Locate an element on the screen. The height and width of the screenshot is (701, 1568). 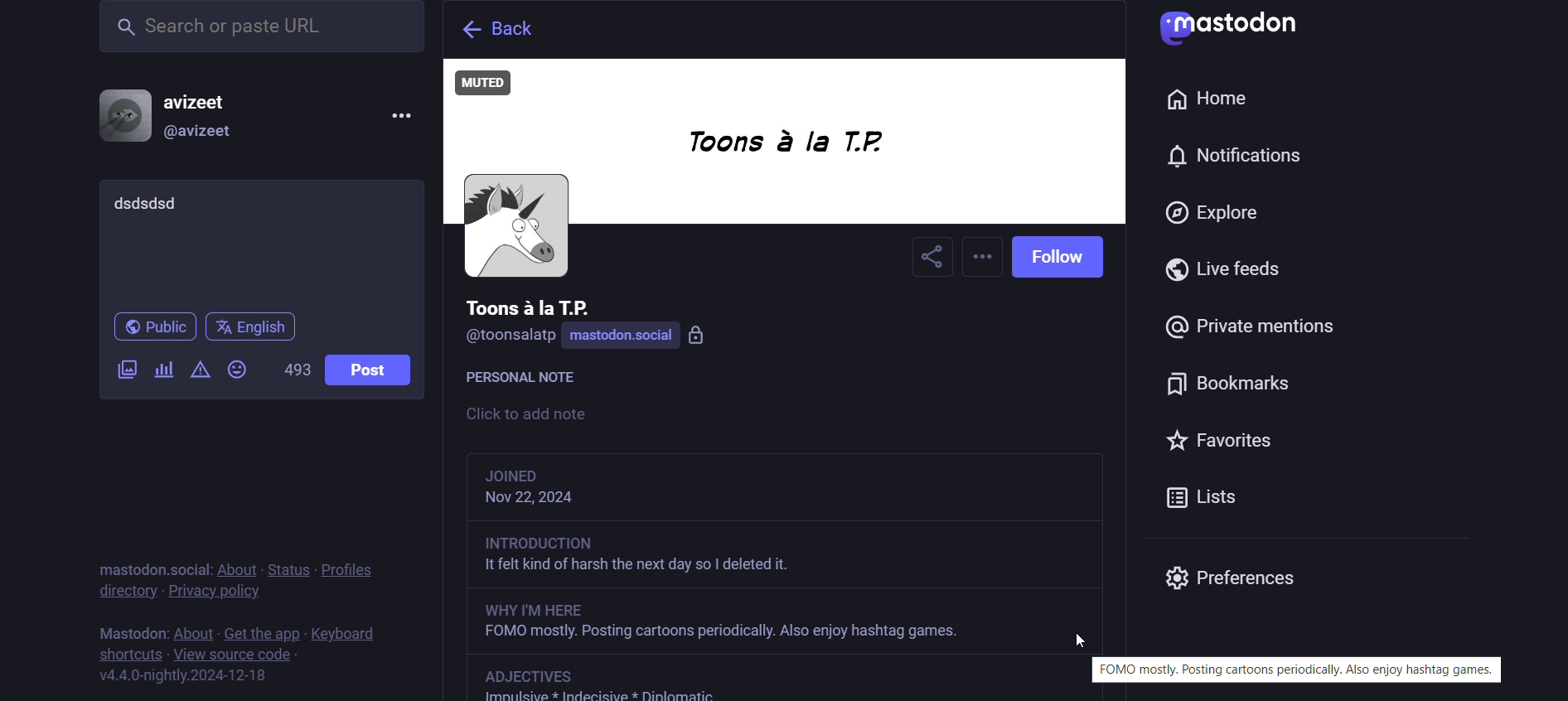
status is located at coordinates (288, 561).